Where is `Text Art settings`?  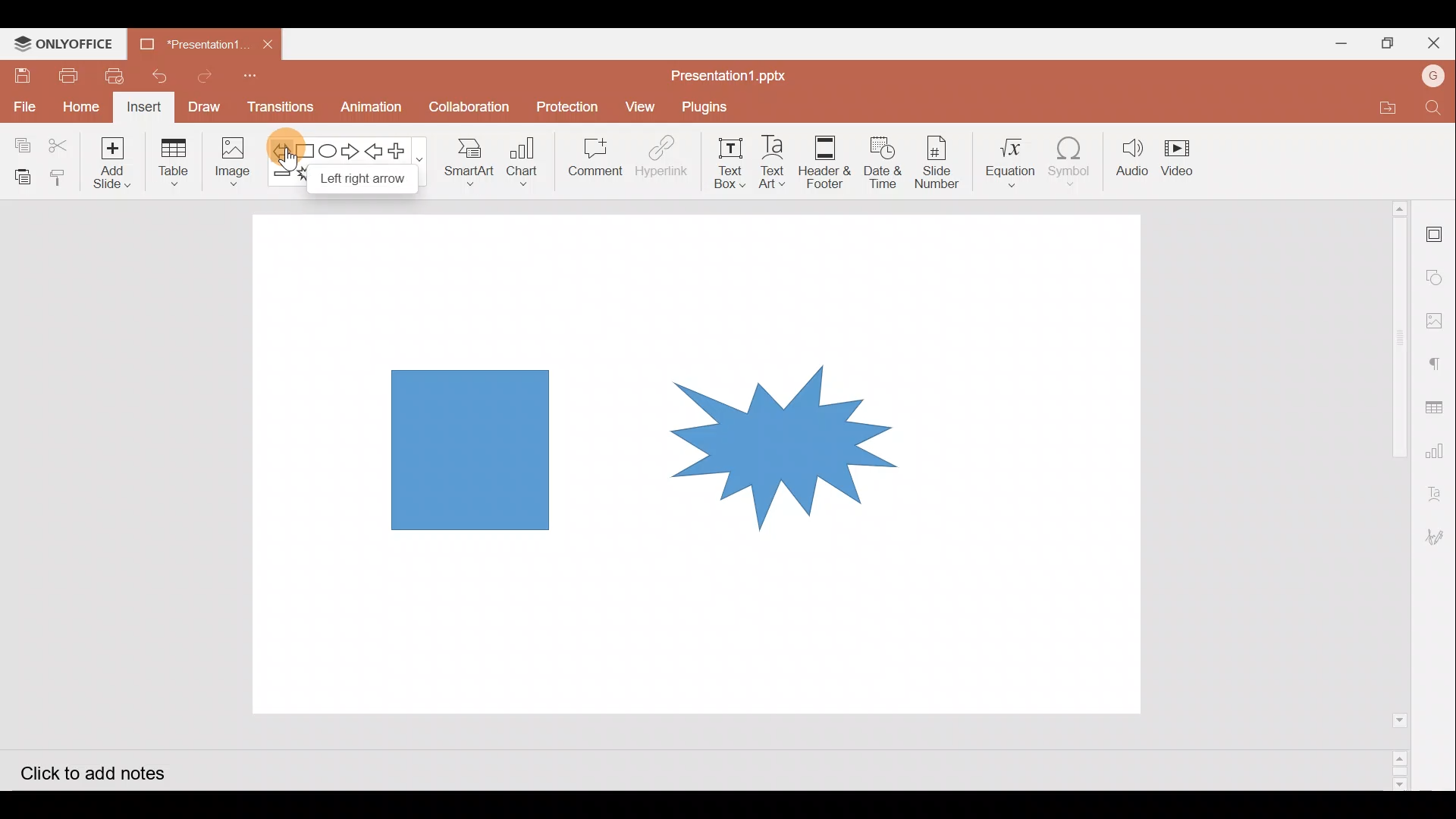
Text Art settings is located at coordinates (1439, 488).